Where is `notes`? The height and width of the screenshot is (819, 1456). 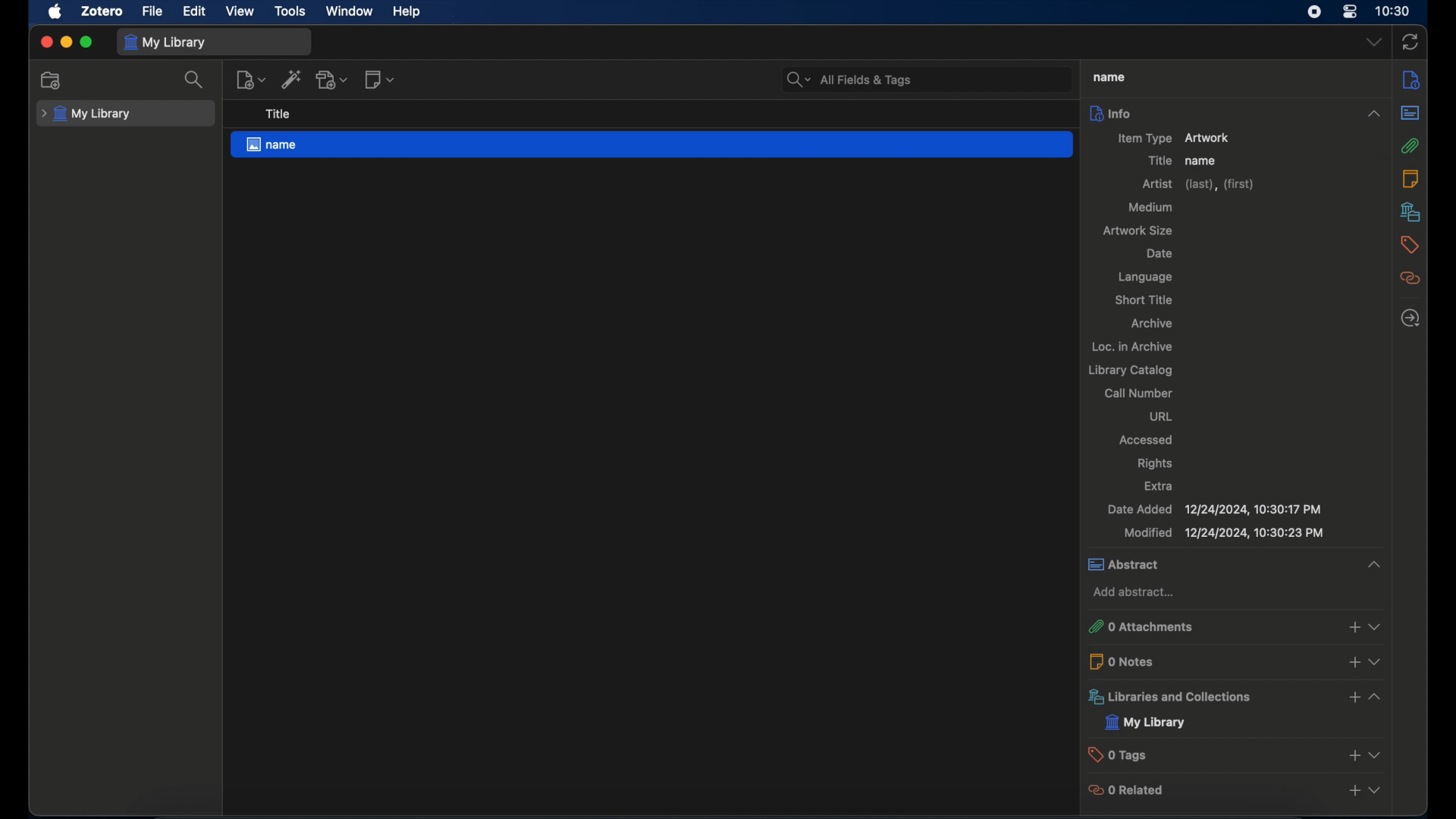 notes is located at coordinates (1411, 178).